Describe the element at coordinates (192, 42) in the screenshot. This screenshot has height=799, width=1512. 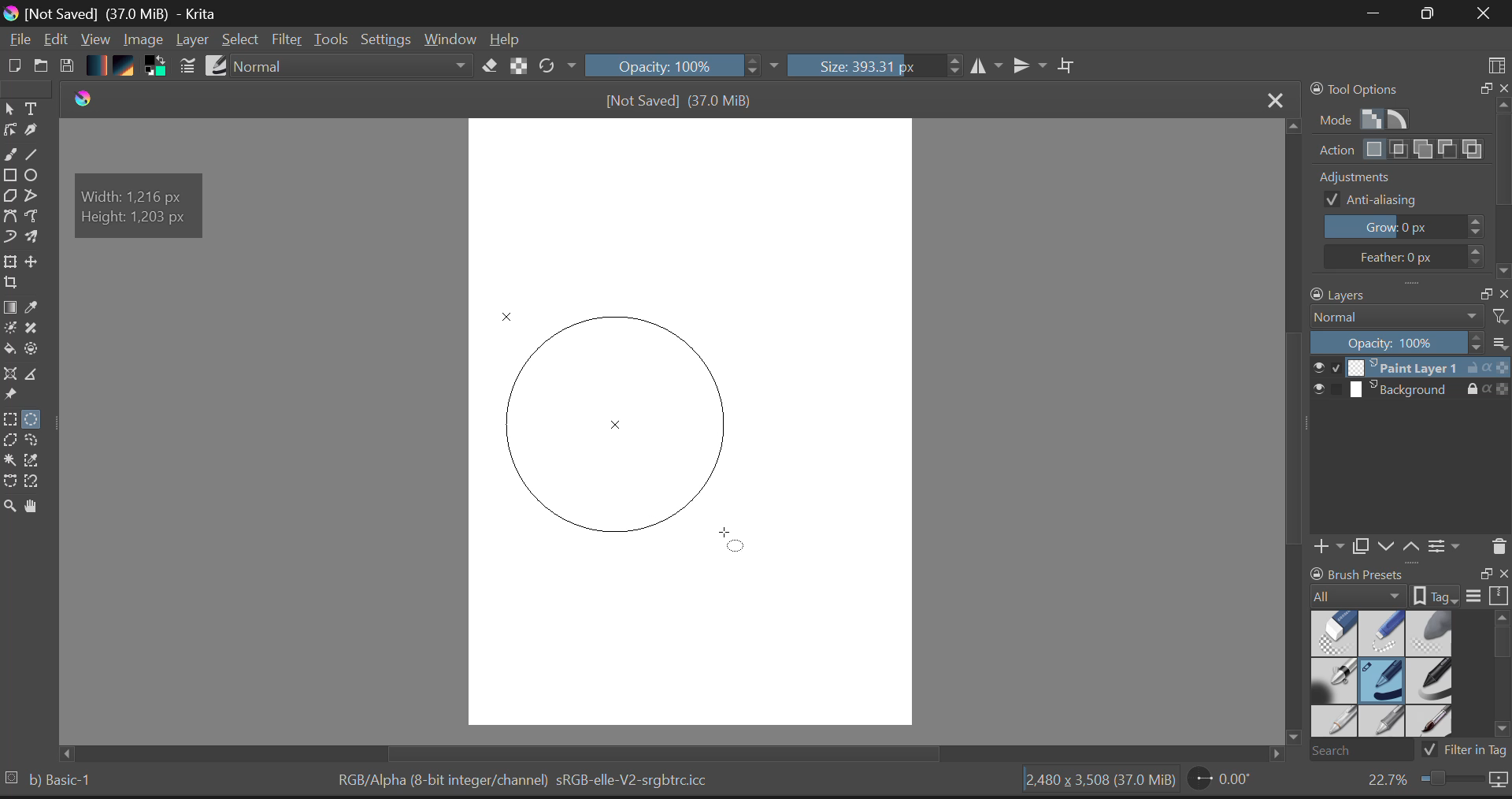
I see `Layer` at that location.